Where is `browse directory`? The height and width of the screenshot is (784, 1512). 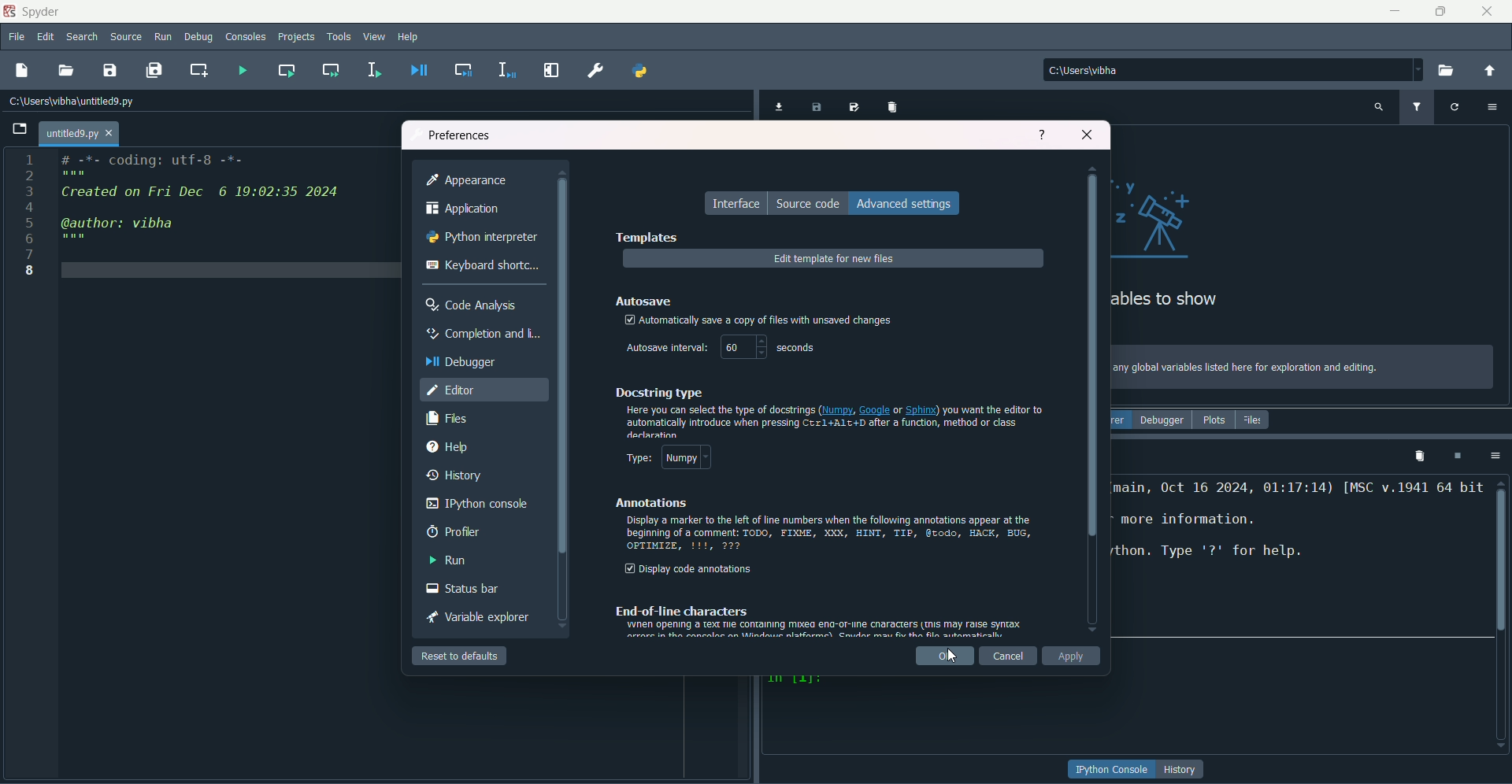
browse directory is located at coordinates (1447, 71).